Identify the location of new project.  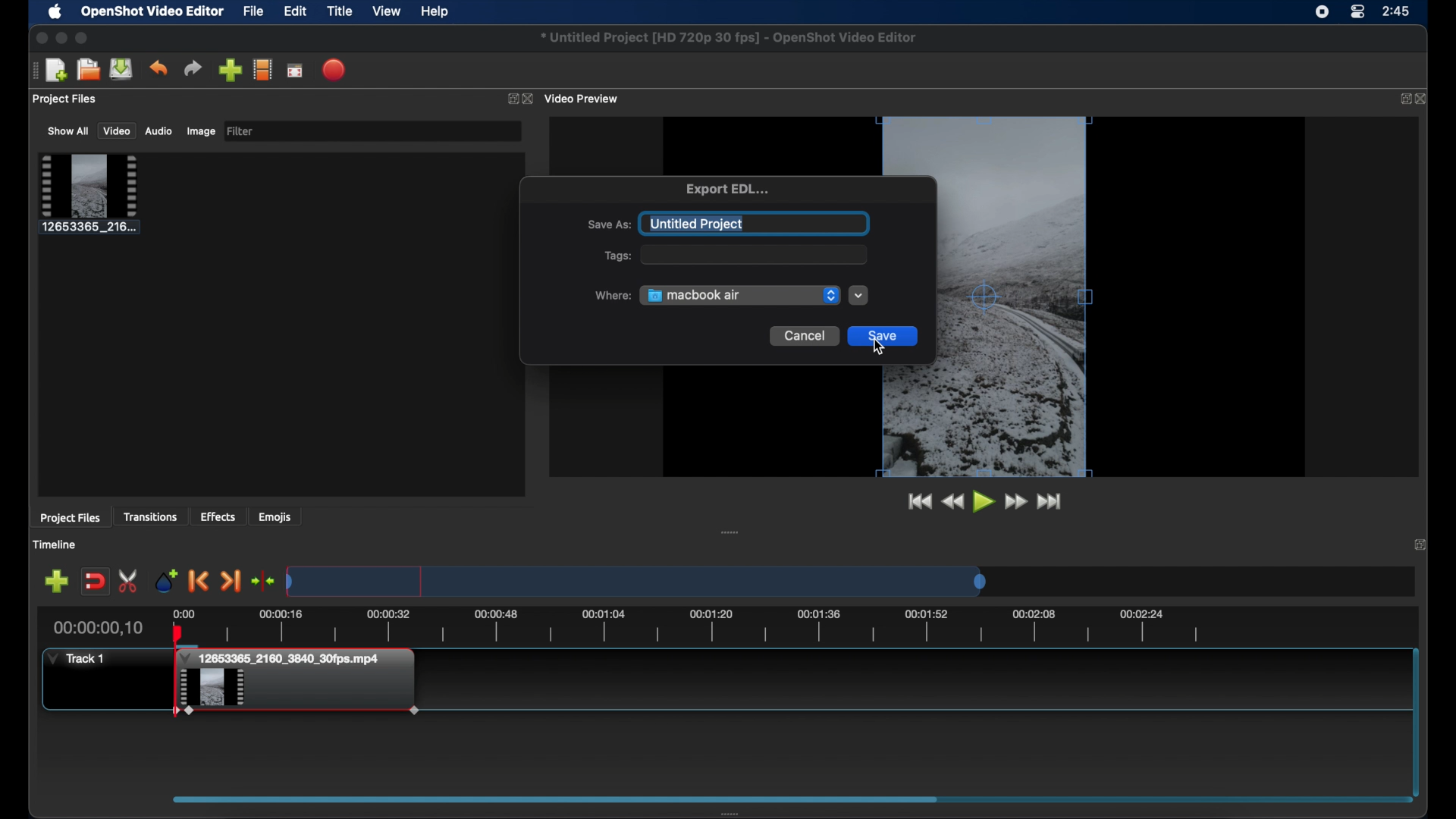
(58, 70).